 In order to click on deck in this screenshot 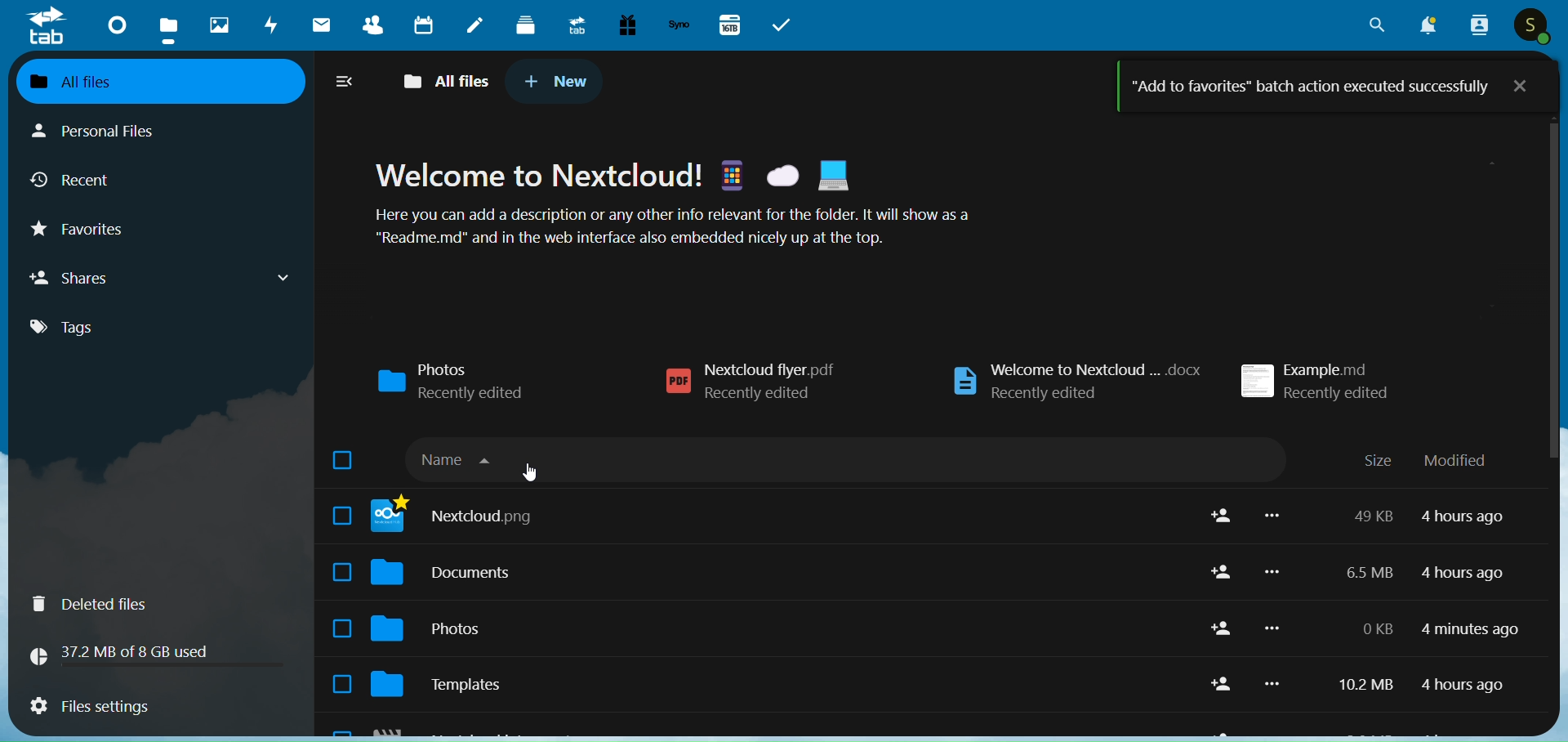, I will do `click(524, 27)`.